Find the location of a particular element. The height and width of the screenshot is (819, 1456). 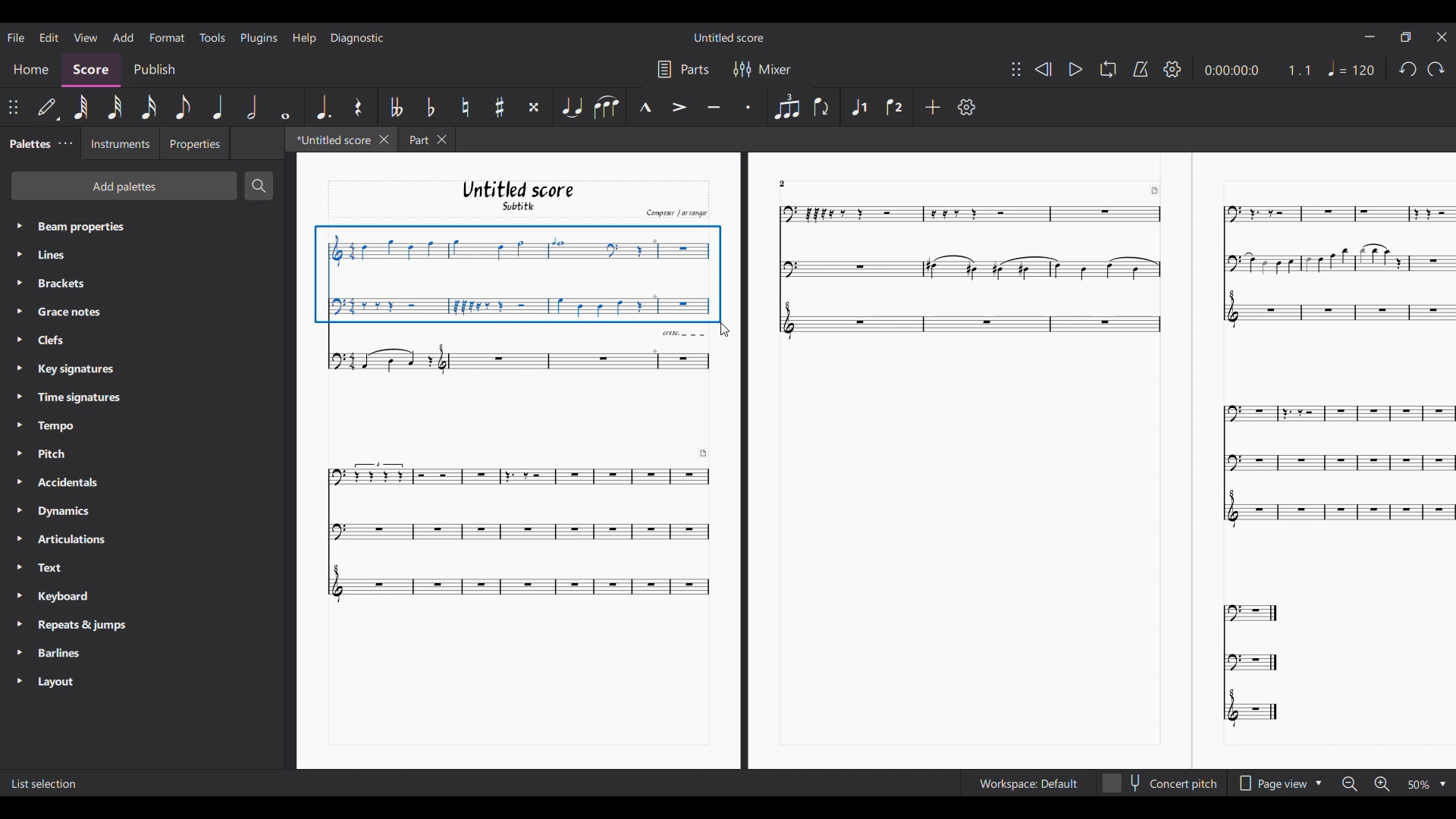

Undo is located at coordinates (1436, 72).